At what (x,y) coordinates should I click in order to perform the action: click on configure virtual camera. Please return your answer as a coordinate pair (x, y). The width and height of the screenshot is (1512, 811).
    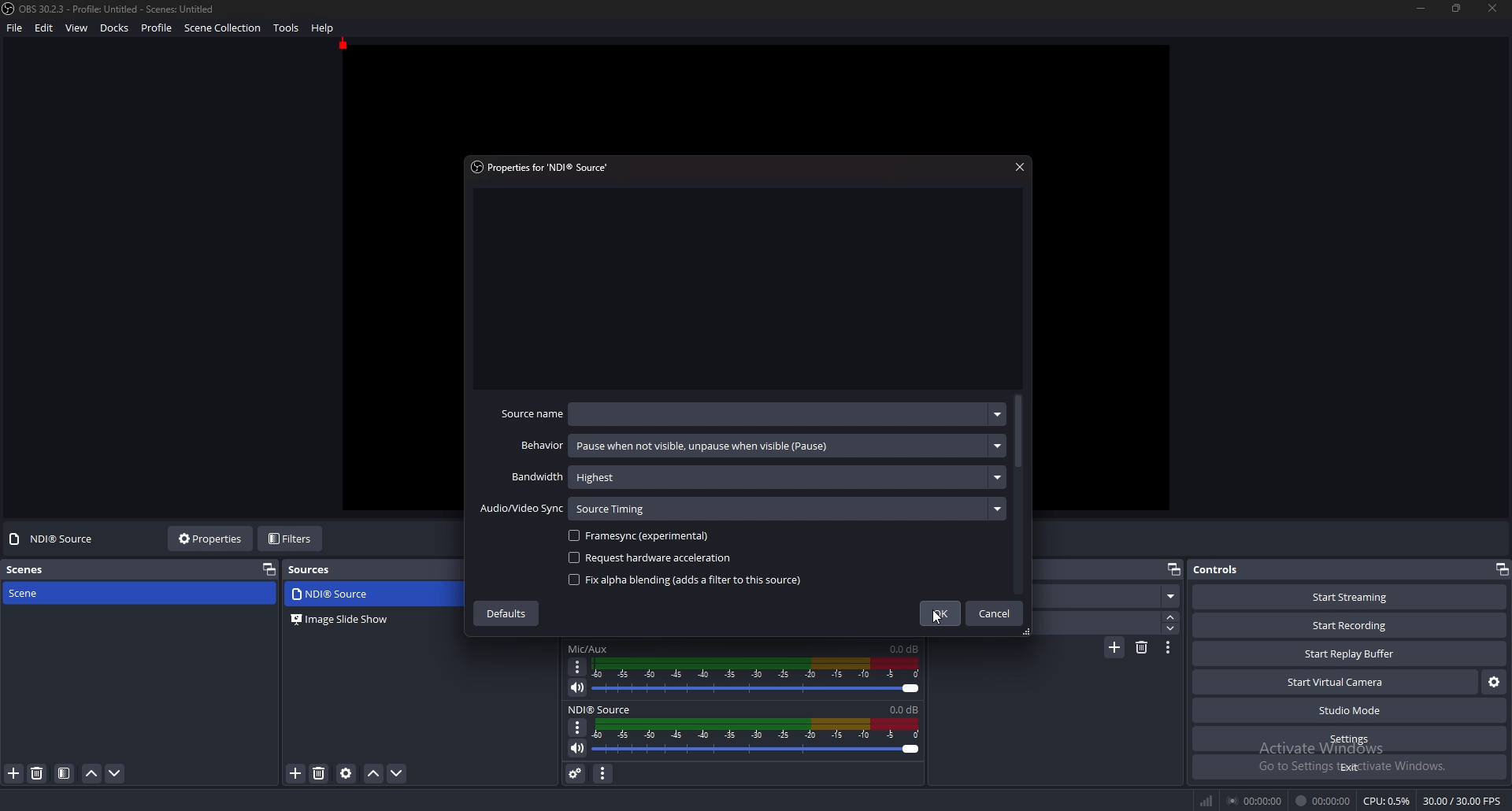
    Looking at the image, I should click on (1494, 682).